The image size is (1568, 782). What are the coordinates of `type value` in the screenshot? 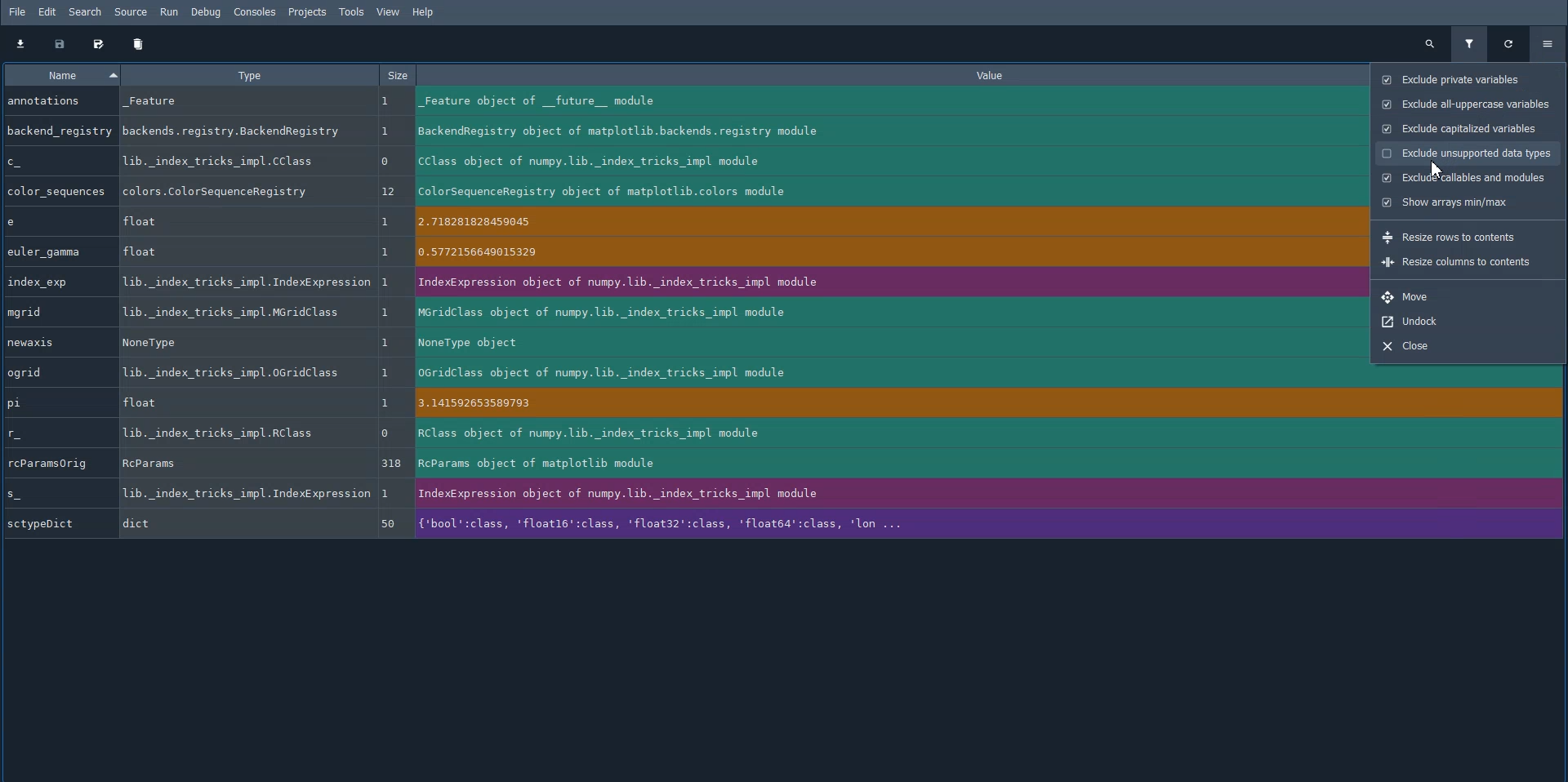 It's located at (234, 342).